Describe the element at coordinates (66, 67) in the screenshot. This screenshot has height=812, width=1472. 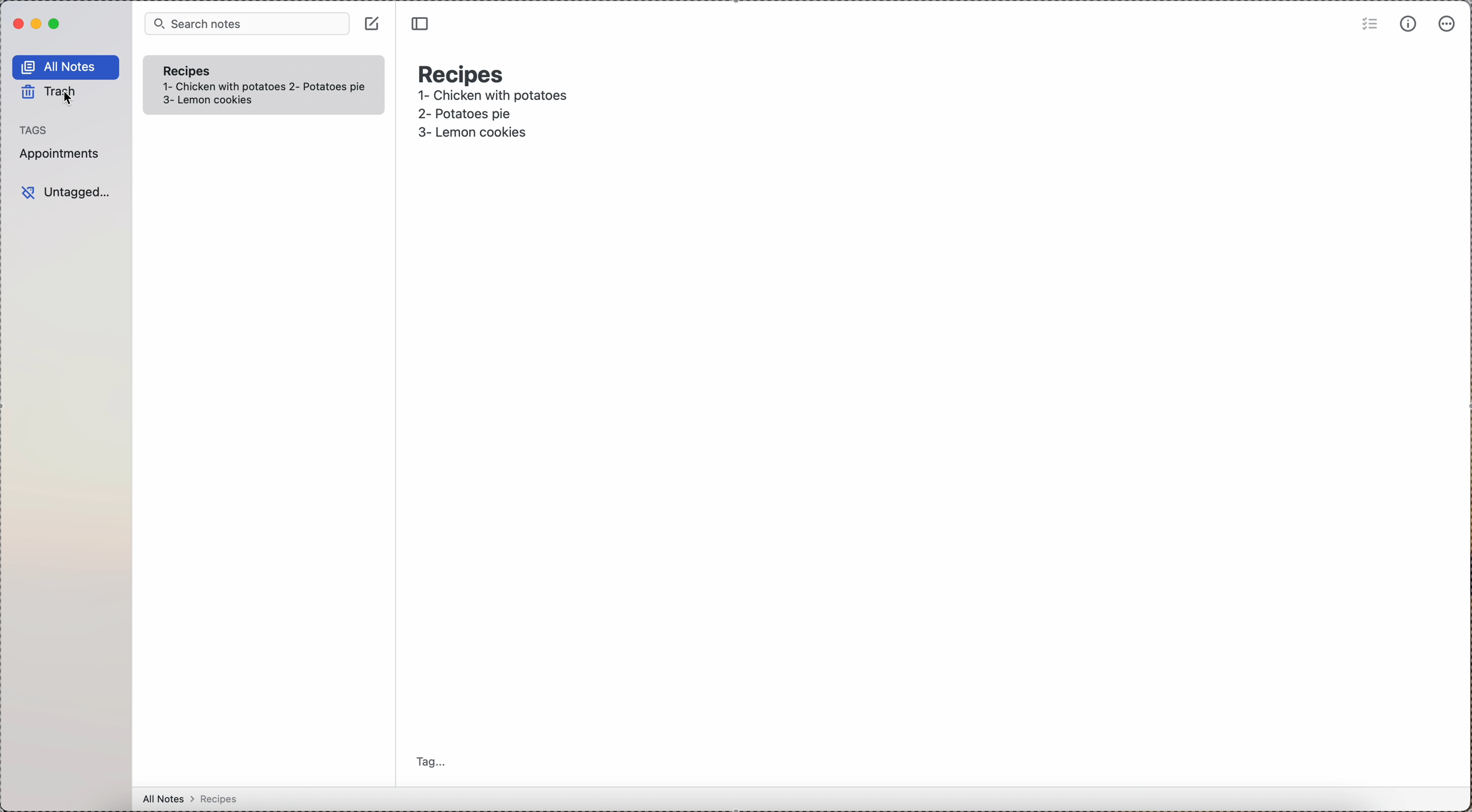
I see `all notes` at that location.